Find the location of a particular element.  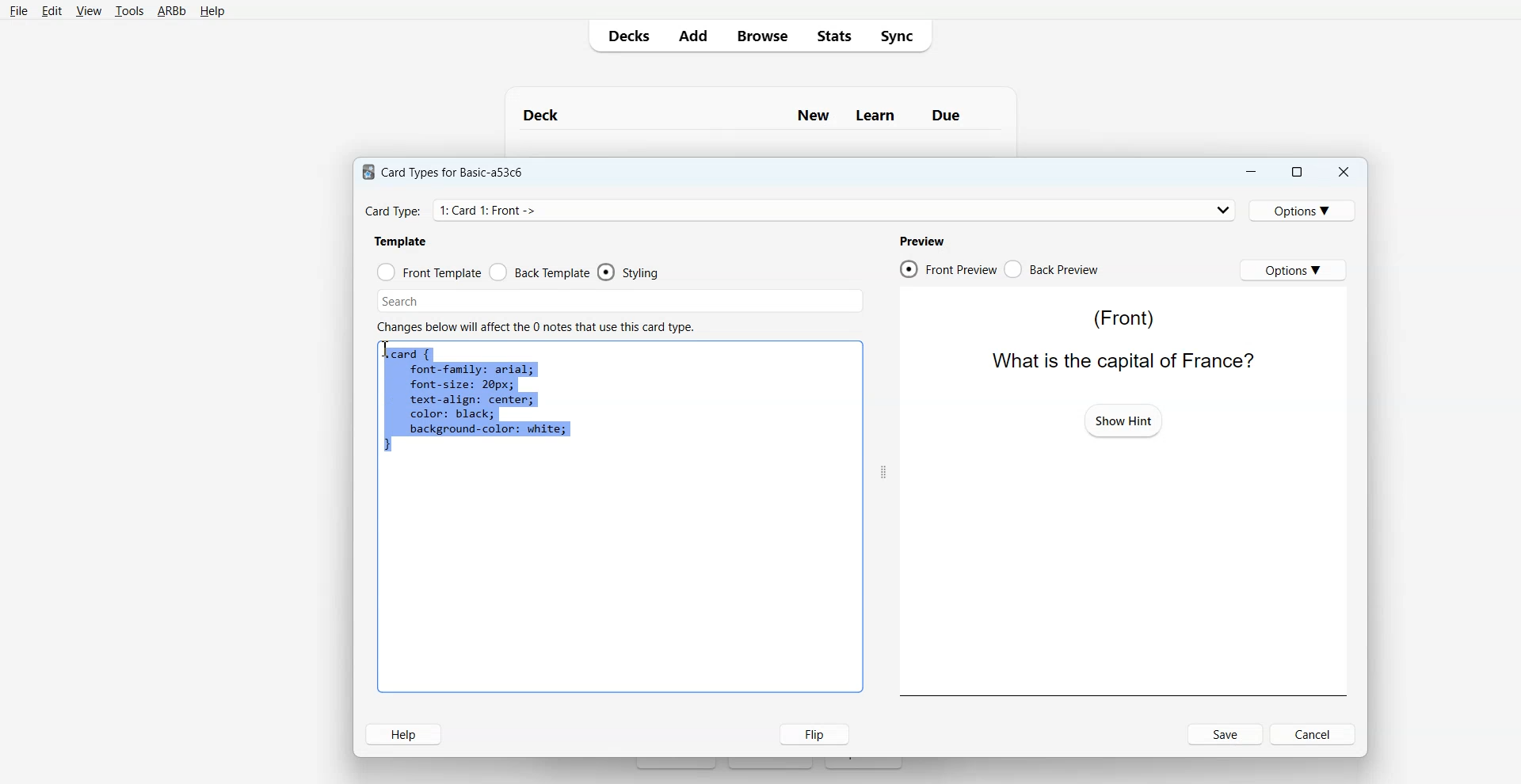

Styling is located at coordinates (630, 272).